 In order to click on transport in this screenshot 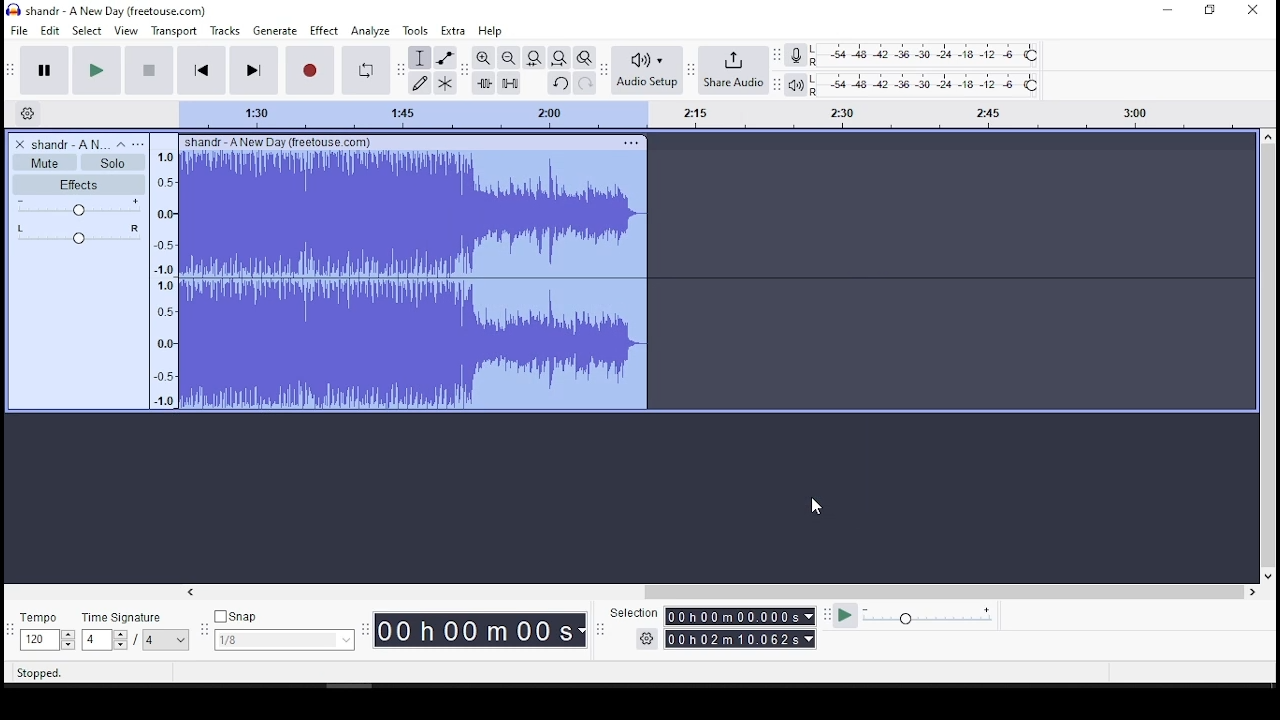, I will do `click(174, 30)`.